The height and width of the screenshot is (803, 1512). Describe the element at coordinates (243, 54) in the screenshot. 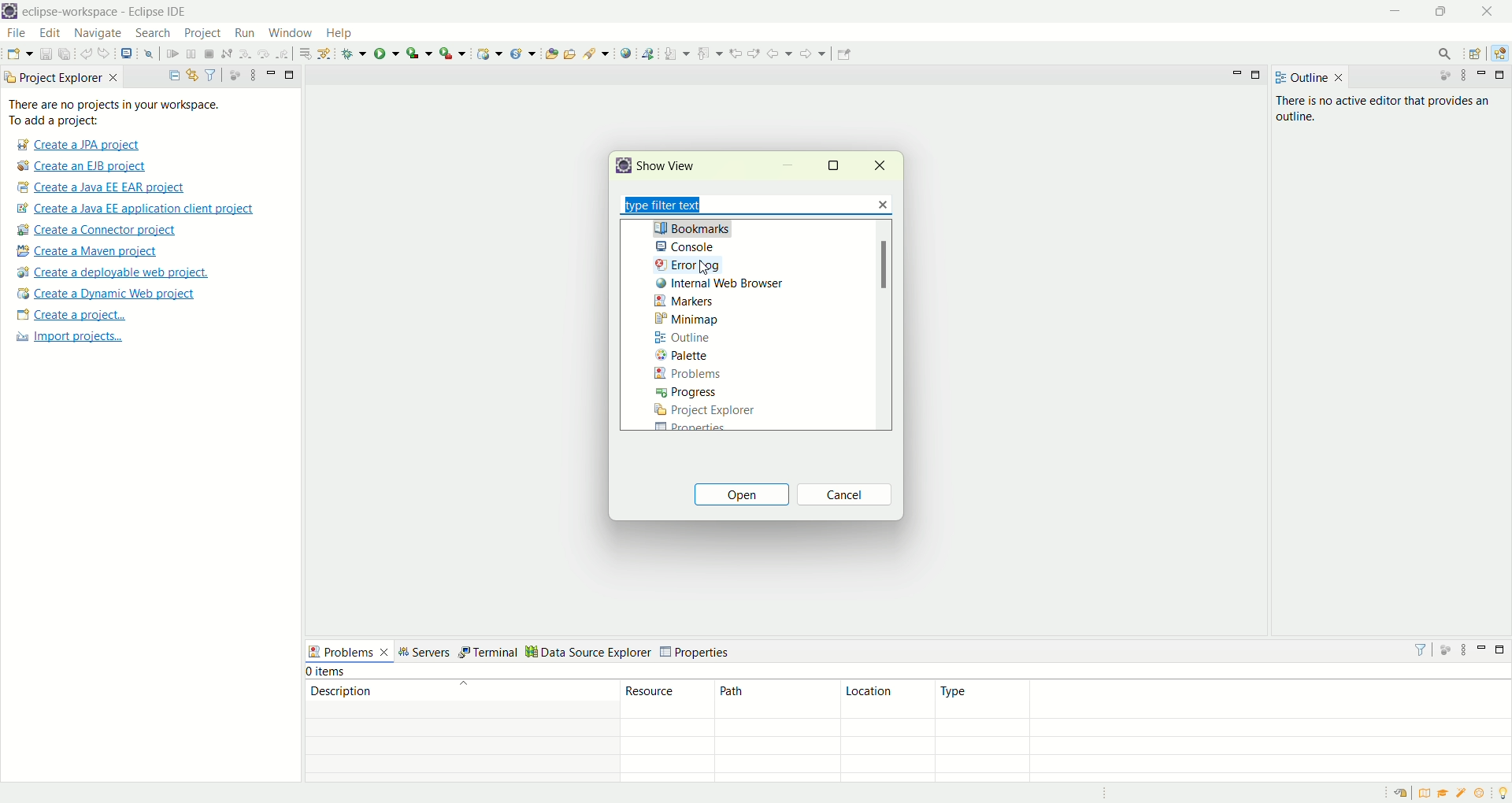

I see `step into` at that location.